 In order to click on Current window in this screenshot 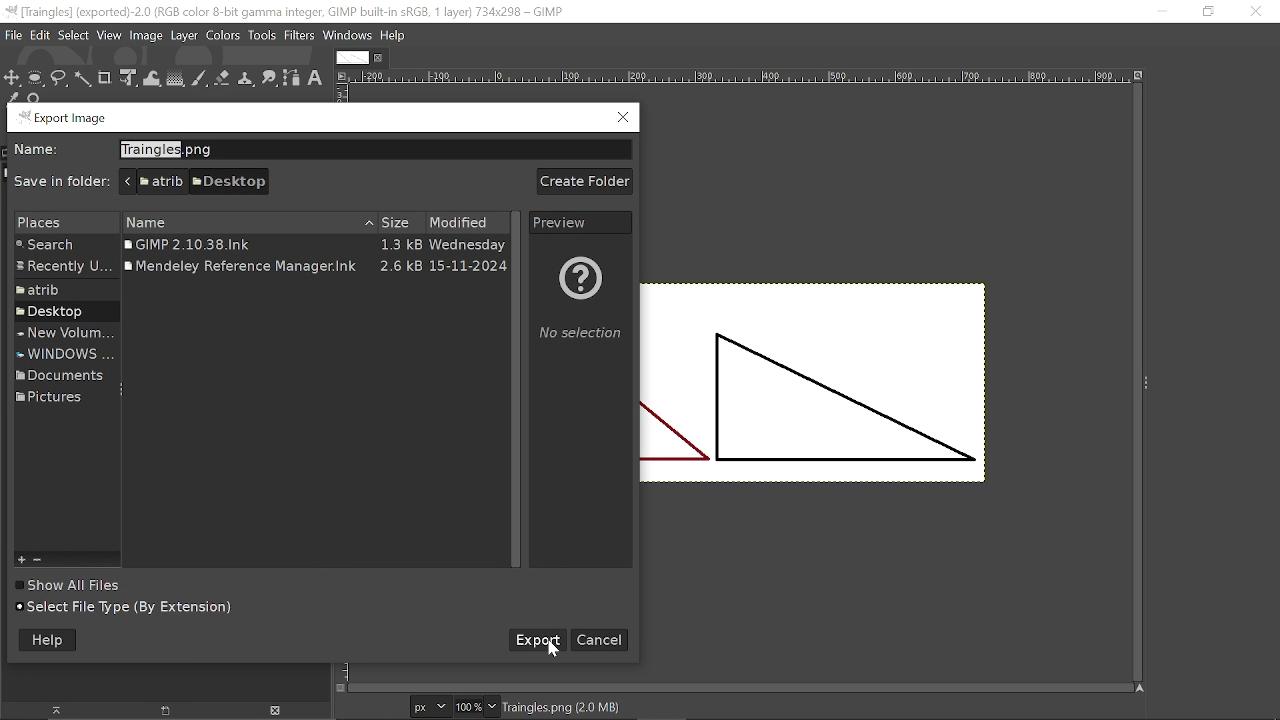, I will do `click(287, 11)`.